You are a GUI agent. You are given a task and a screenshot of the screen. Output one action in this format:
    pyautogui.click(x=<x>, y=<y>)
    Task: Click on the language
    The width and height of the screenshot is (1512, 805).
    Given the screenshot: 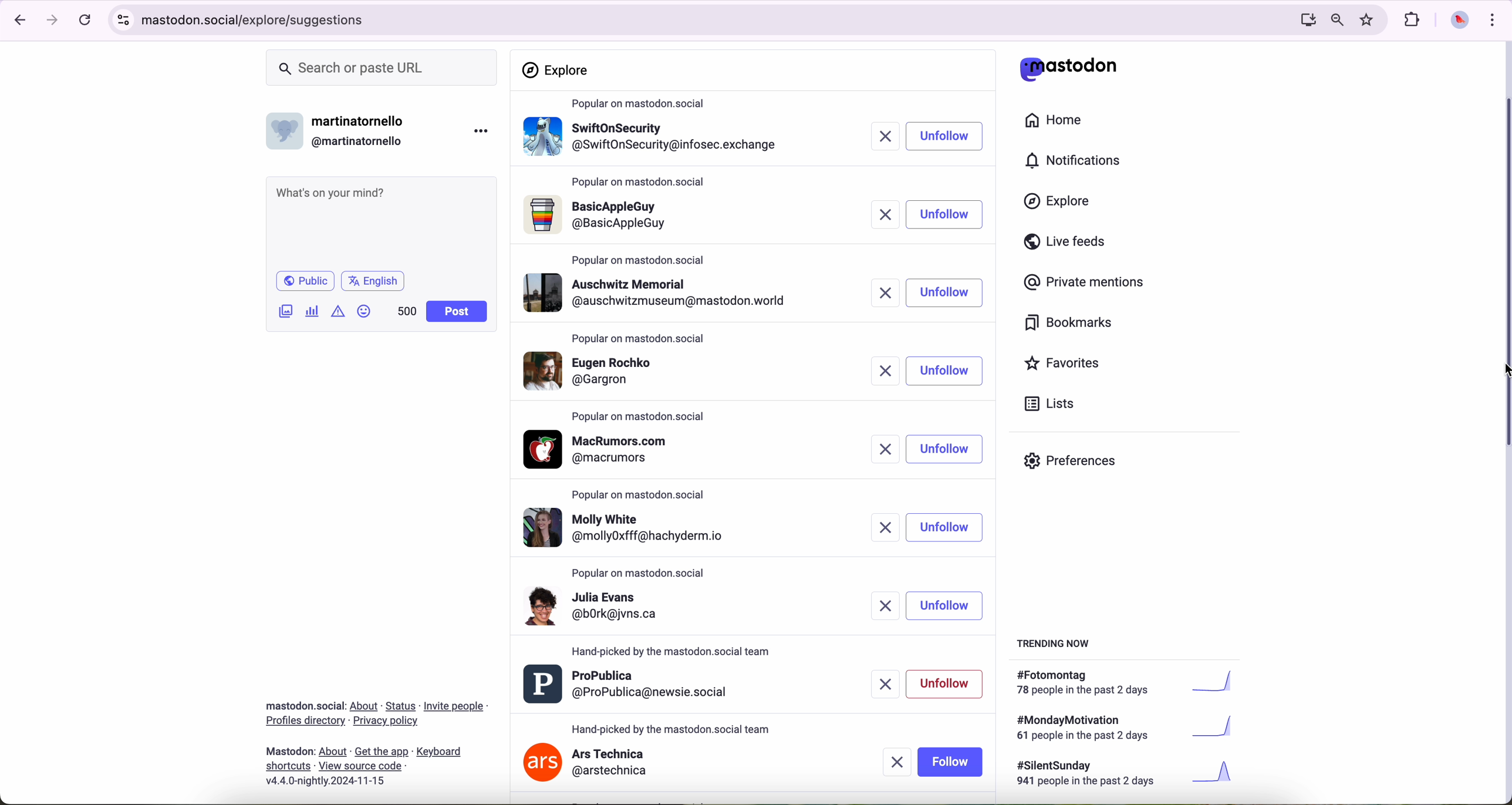 What is the action you would take?
    pyautogui.click(x=373, y=280)
    